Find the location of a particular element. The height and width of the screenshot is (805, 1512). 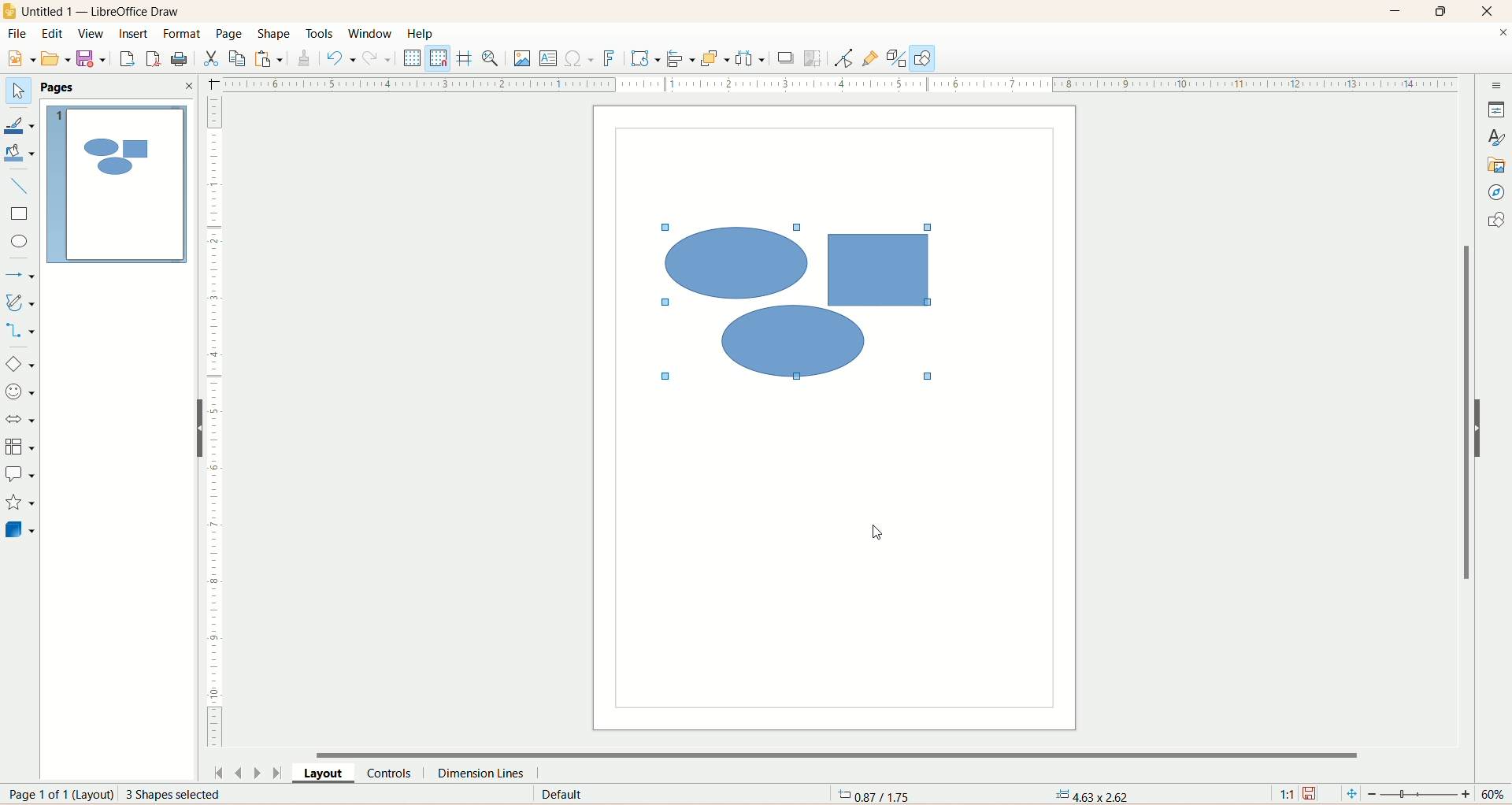

edit is located at coordinates (54, 35).